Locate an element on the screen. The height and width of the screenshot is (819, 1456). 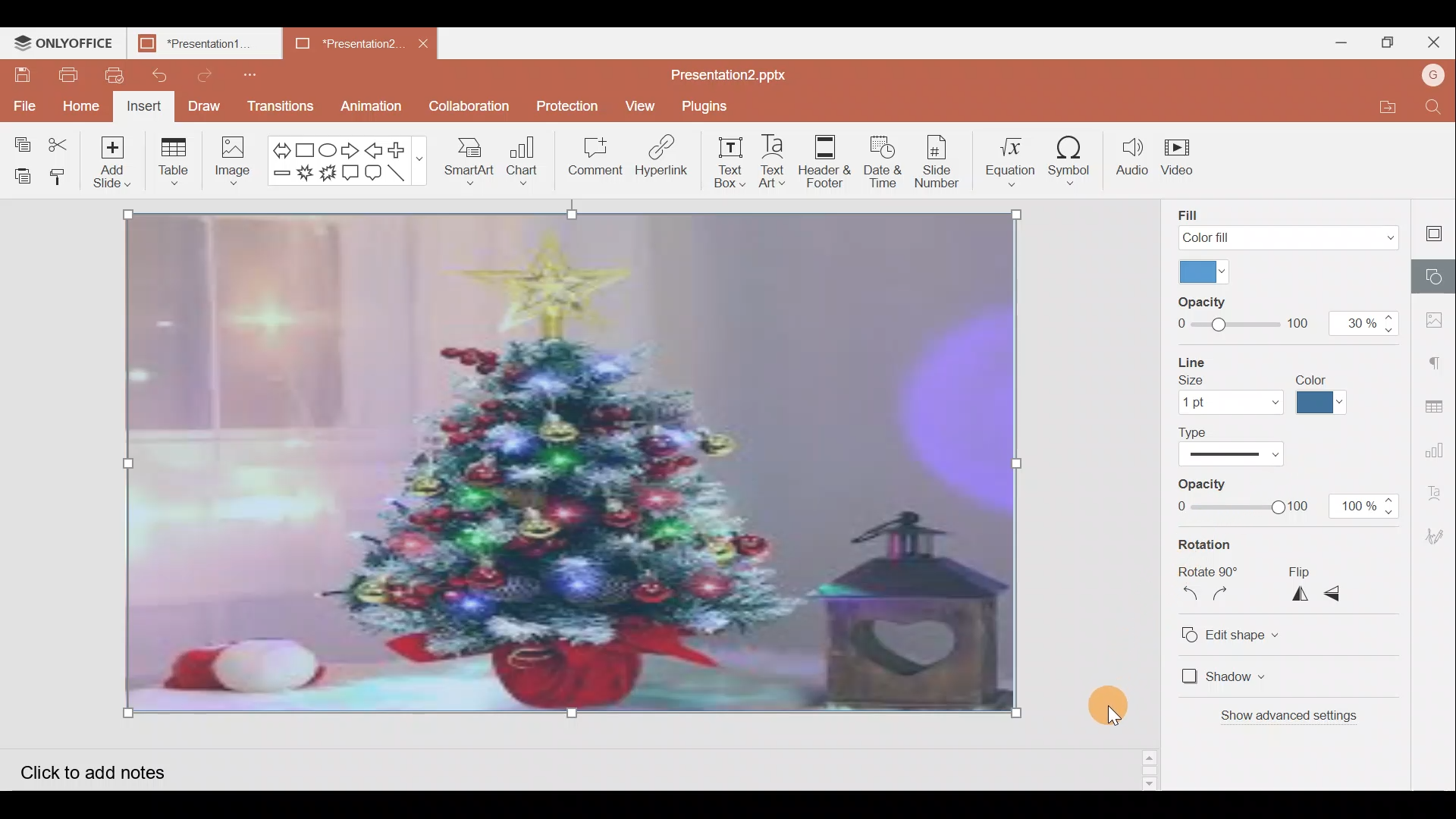
Image is located at coordinates (233, 161).